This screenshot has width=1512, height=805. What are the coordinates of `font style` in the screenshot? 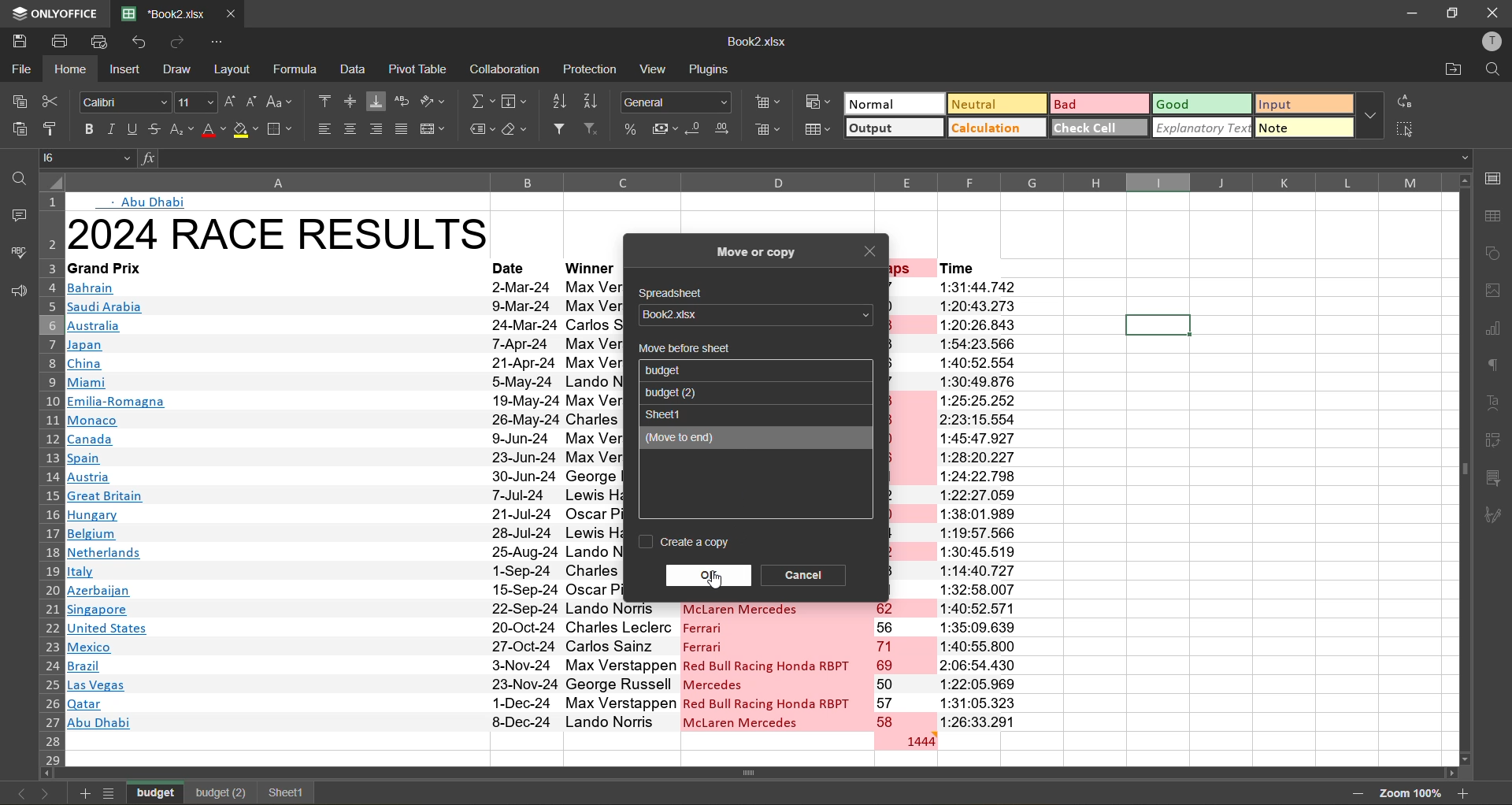 It's located at (126, 103).